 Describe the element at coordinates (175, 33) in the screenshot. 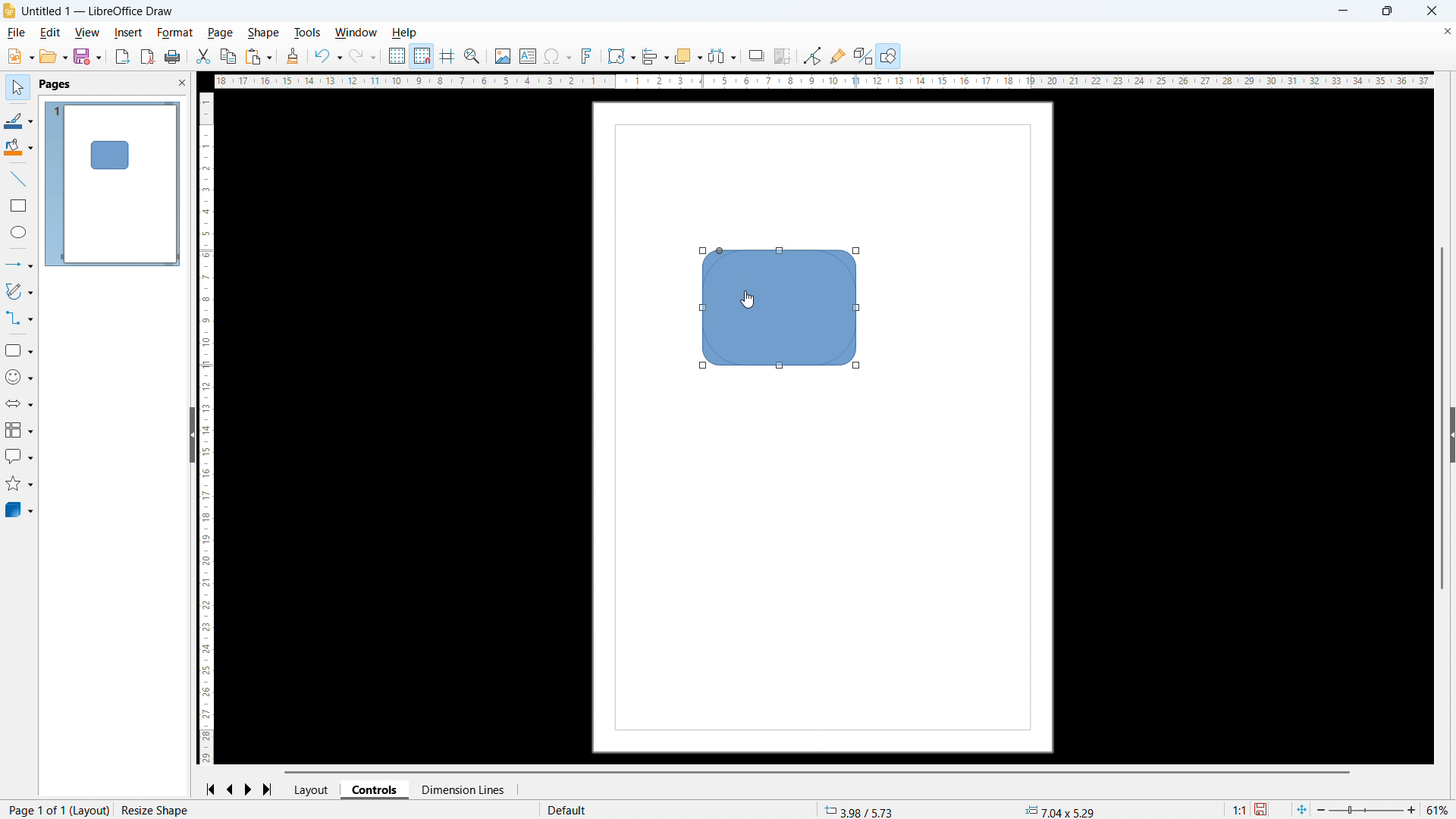

I see `Format ` at that location.